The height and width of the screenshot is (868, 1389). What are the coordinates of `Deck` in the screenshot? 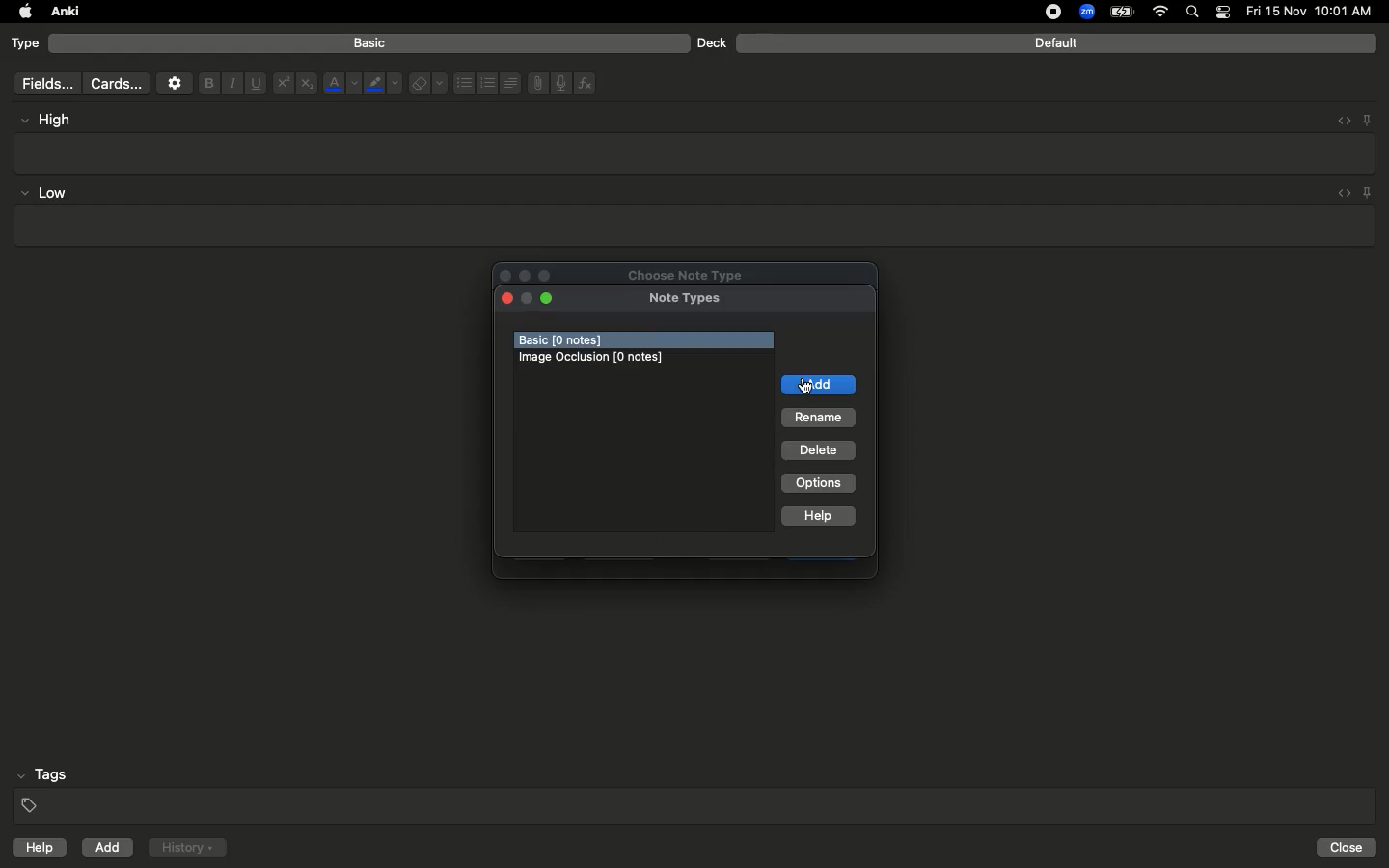 It's located at (711, 42).